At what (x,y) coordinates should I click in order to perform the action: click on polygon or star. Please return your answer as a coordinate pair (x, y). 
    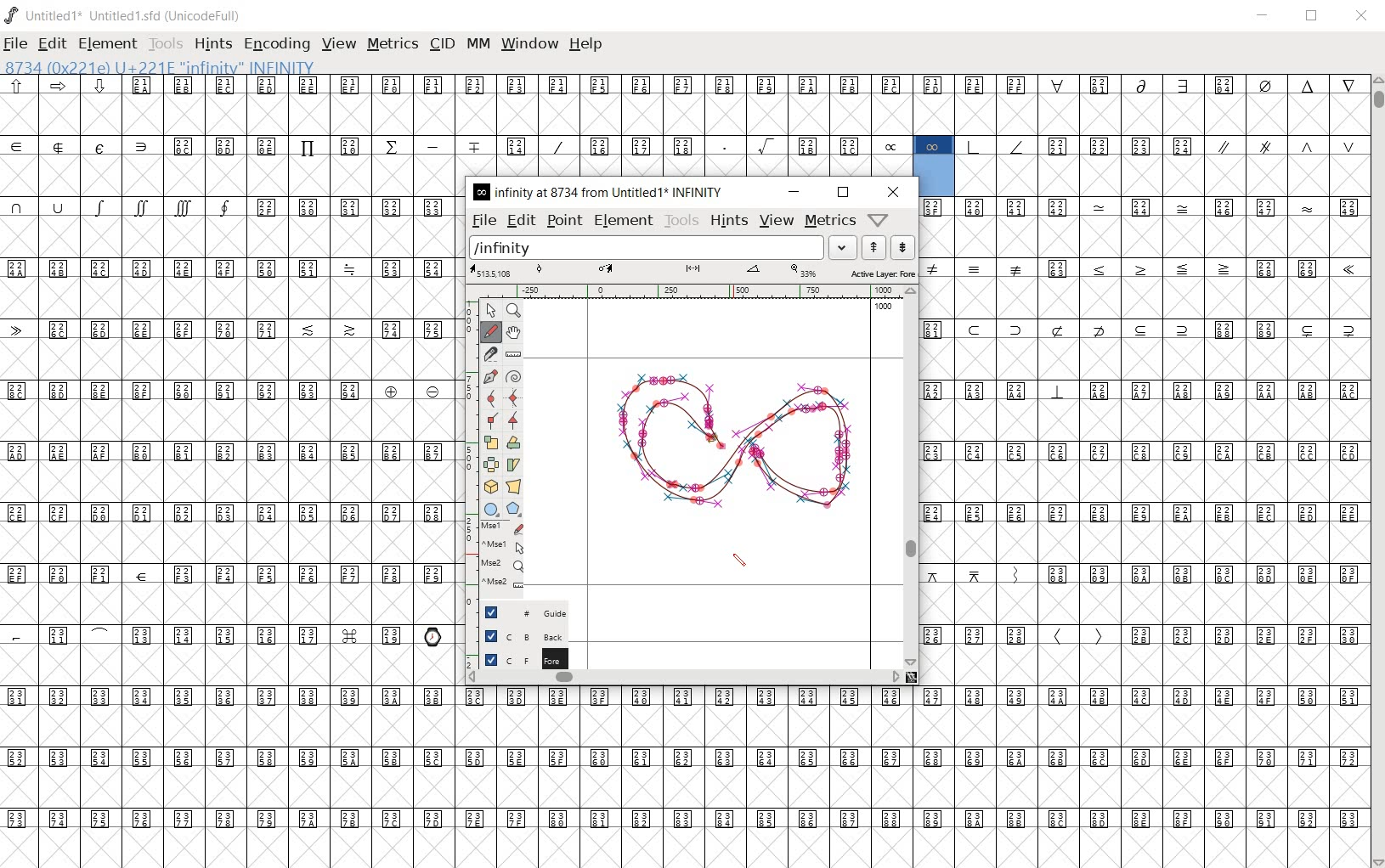
    Looking at the image, I should click on (515, 508).